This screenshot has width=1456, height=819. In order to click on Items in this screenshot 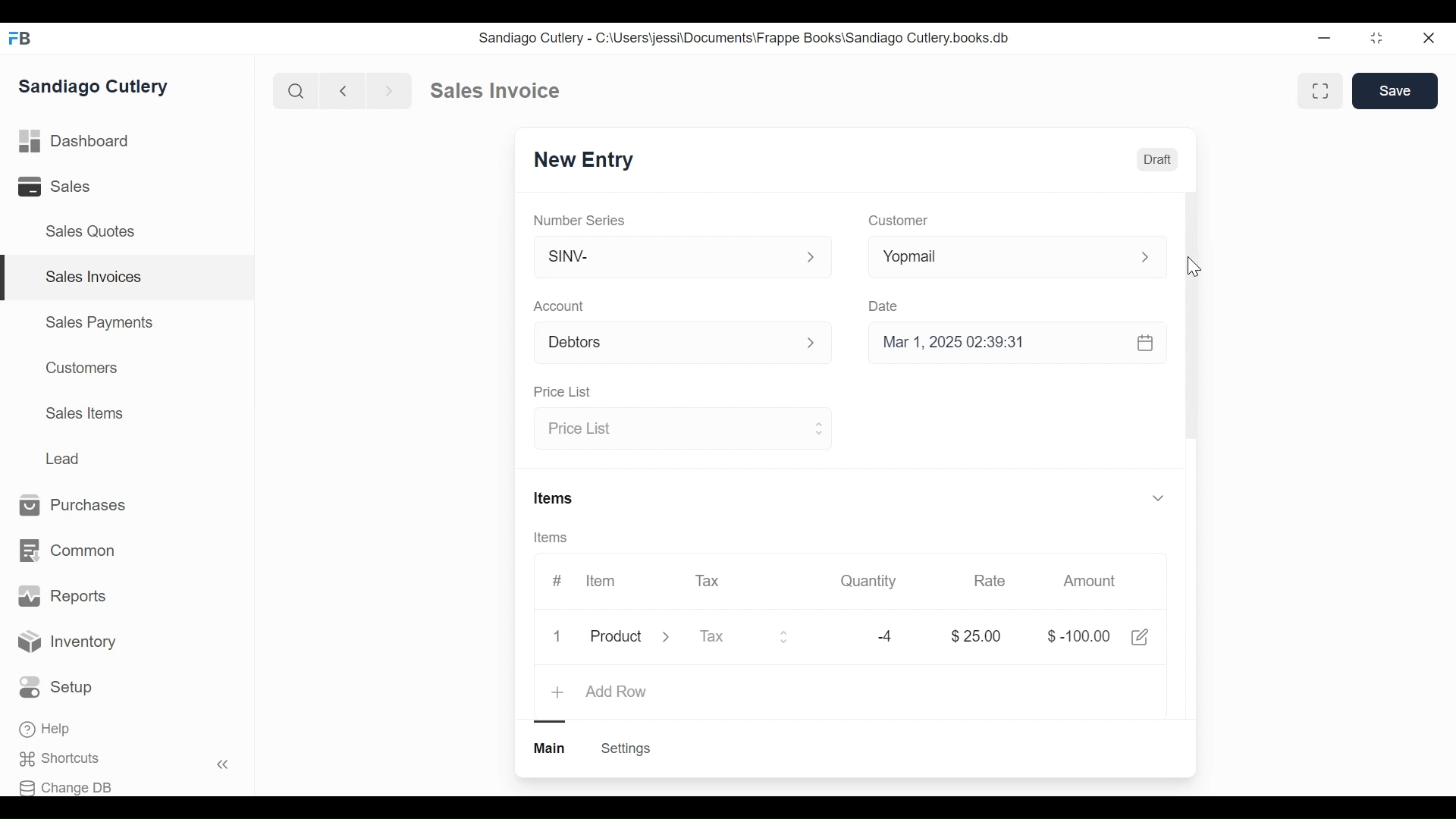, I will do `click(852, 497)`.